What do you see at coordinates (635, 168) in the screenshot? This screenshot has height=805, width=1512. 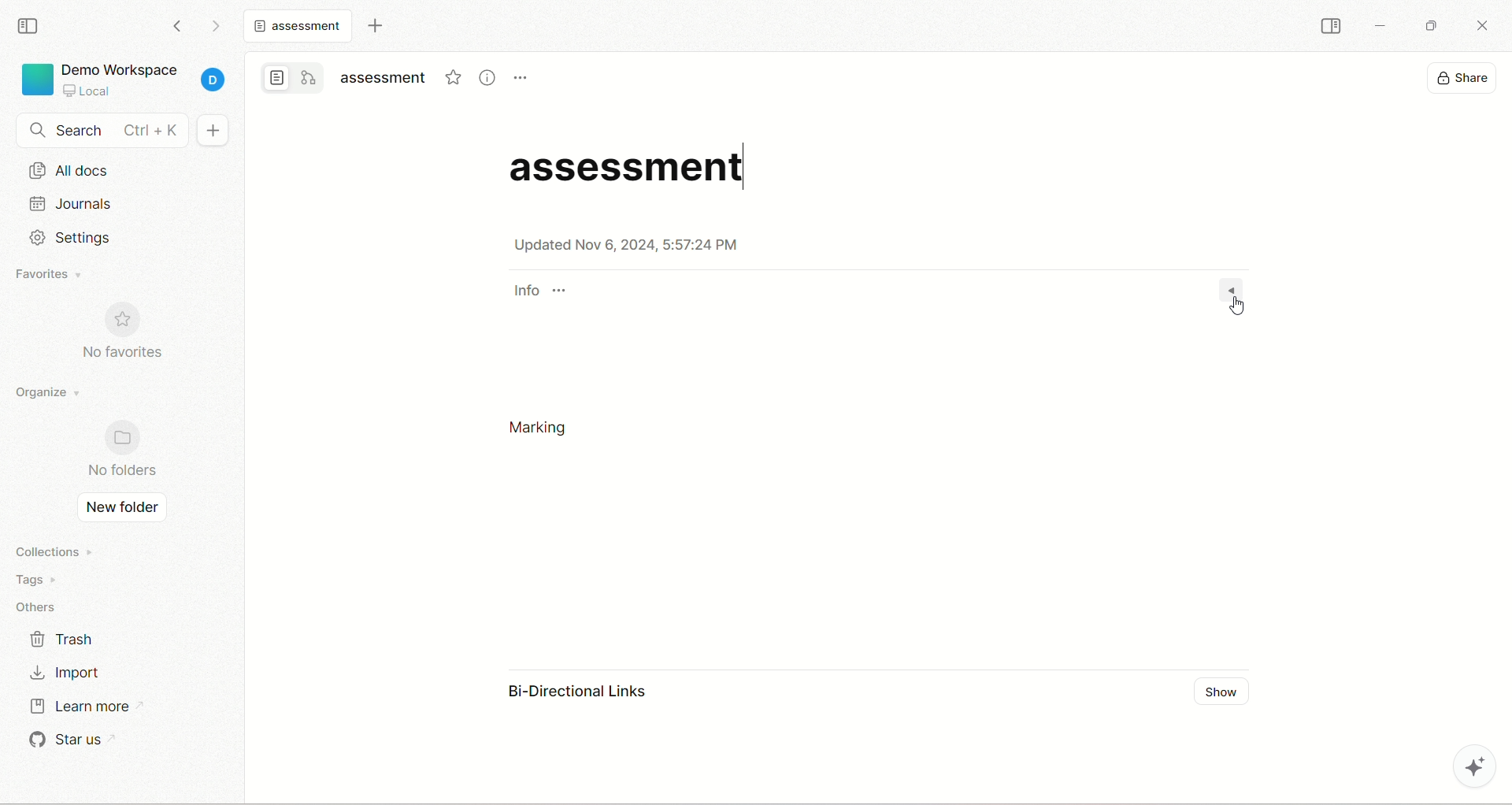 I see `assessment` at bounding box center [635, 168].